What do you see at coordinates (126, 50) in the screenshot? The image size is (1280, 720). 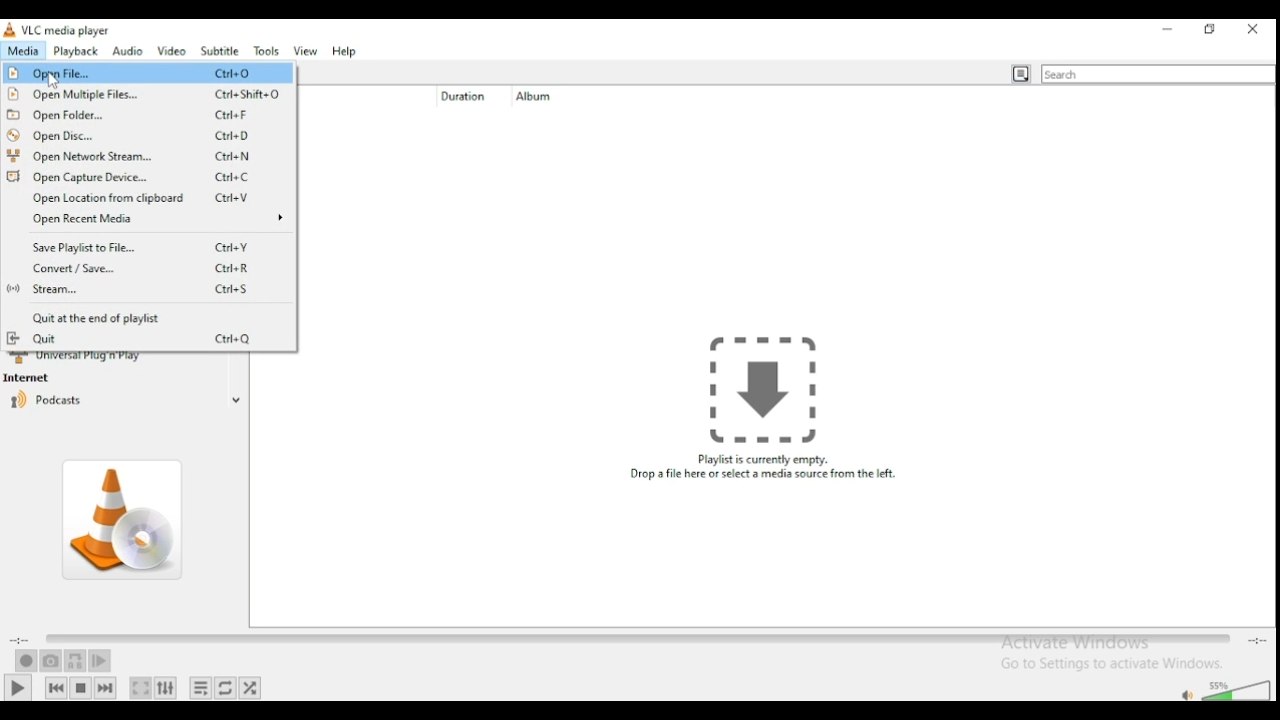 I see `audio` at bounding box center [126, 50].